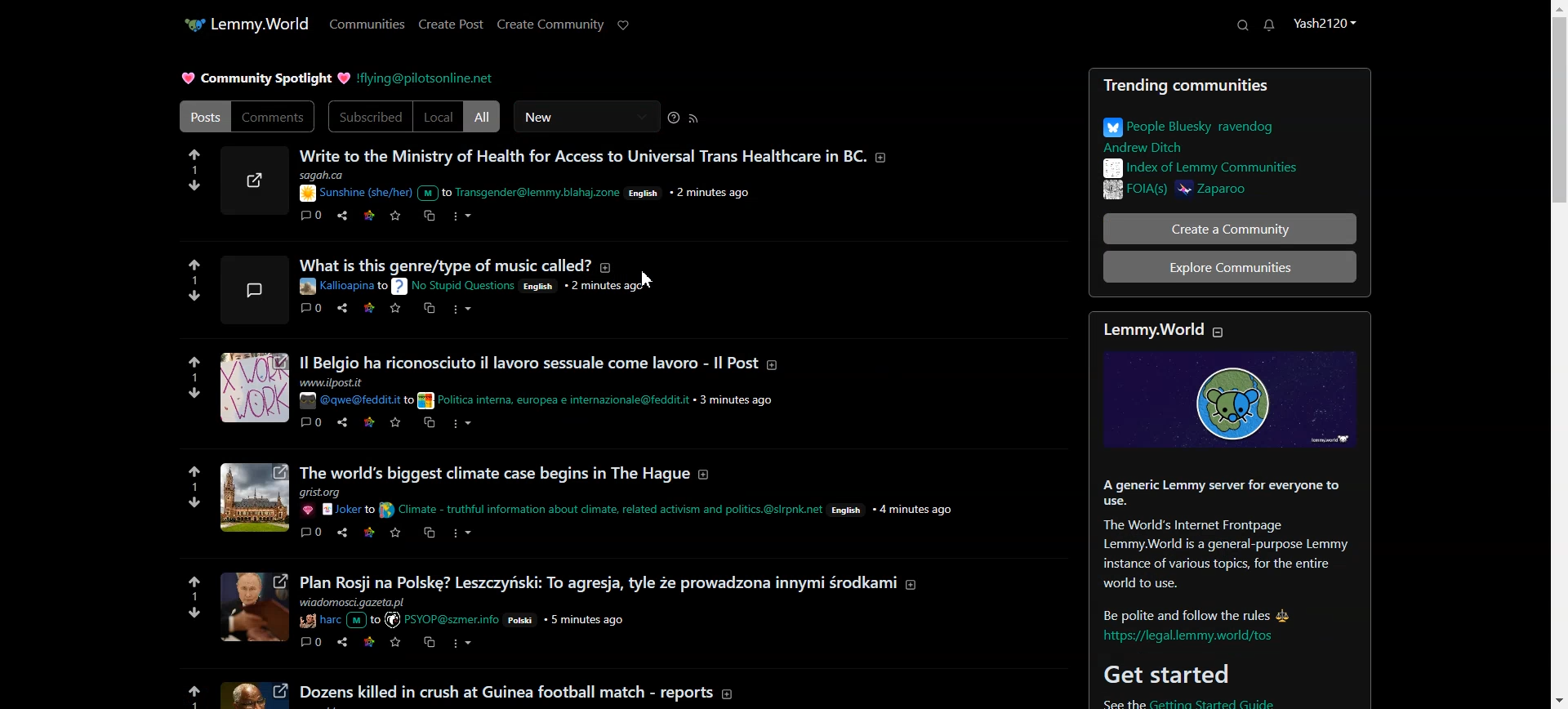 The width and height of the screenshot is (1568, 709). I want to click on about, so click(777, 366).